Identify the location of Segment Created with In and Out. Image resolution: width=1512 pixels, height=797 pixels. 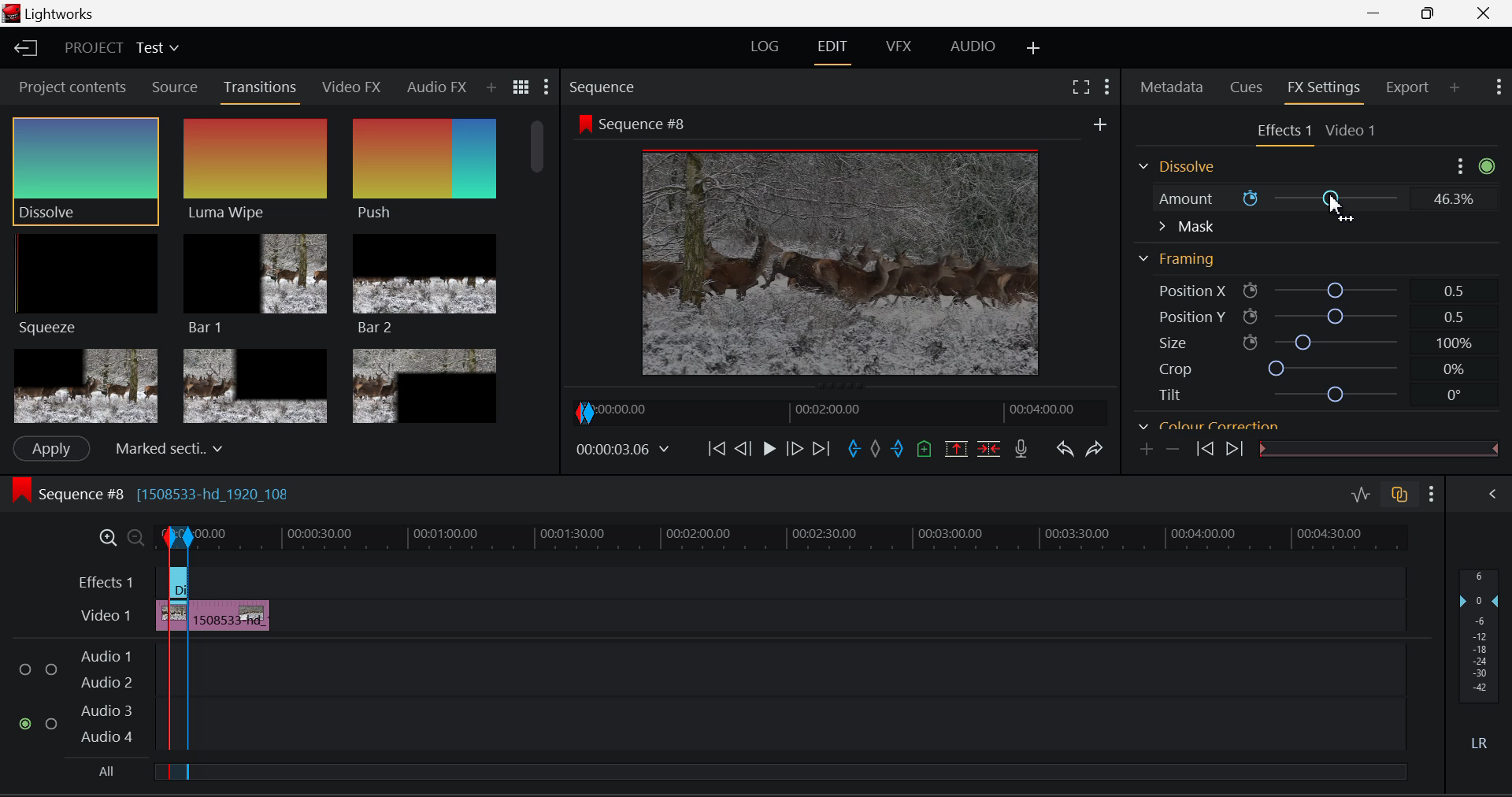
(175, 703).